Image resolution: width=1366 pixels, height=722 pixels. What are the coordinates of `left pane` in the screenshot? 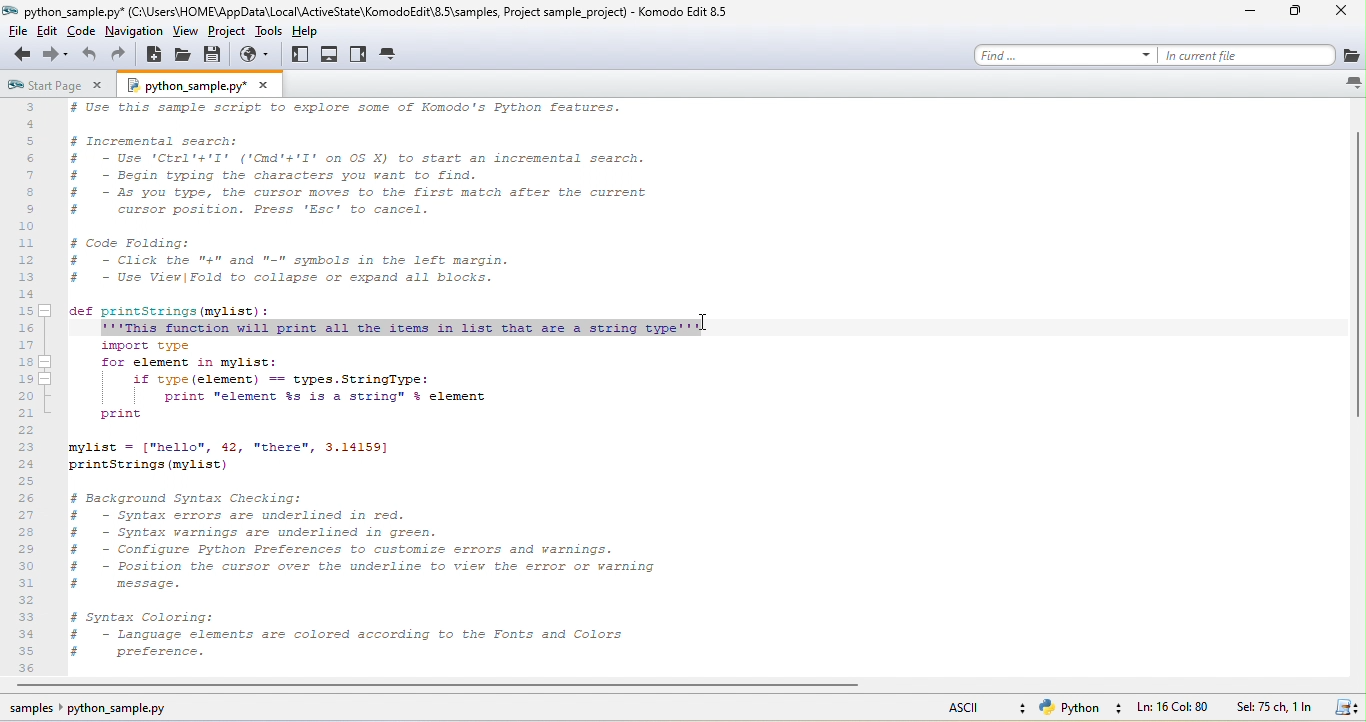 It's located at (299, 60).